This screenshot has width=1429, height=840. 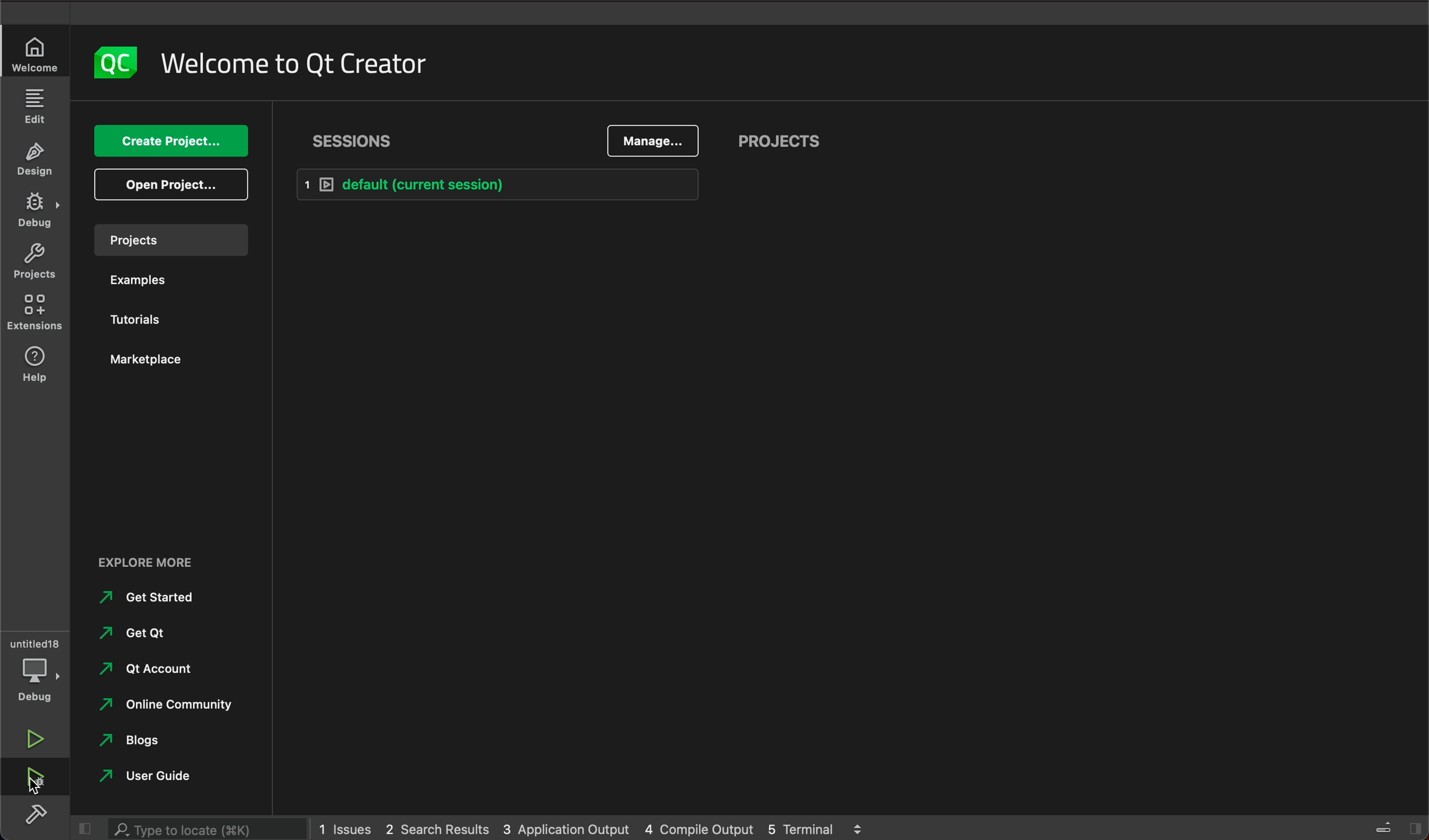 What do you see at coordinates (699, 825) in the screenshot?
I see `4 compile output` at bounding box center [699, 825].